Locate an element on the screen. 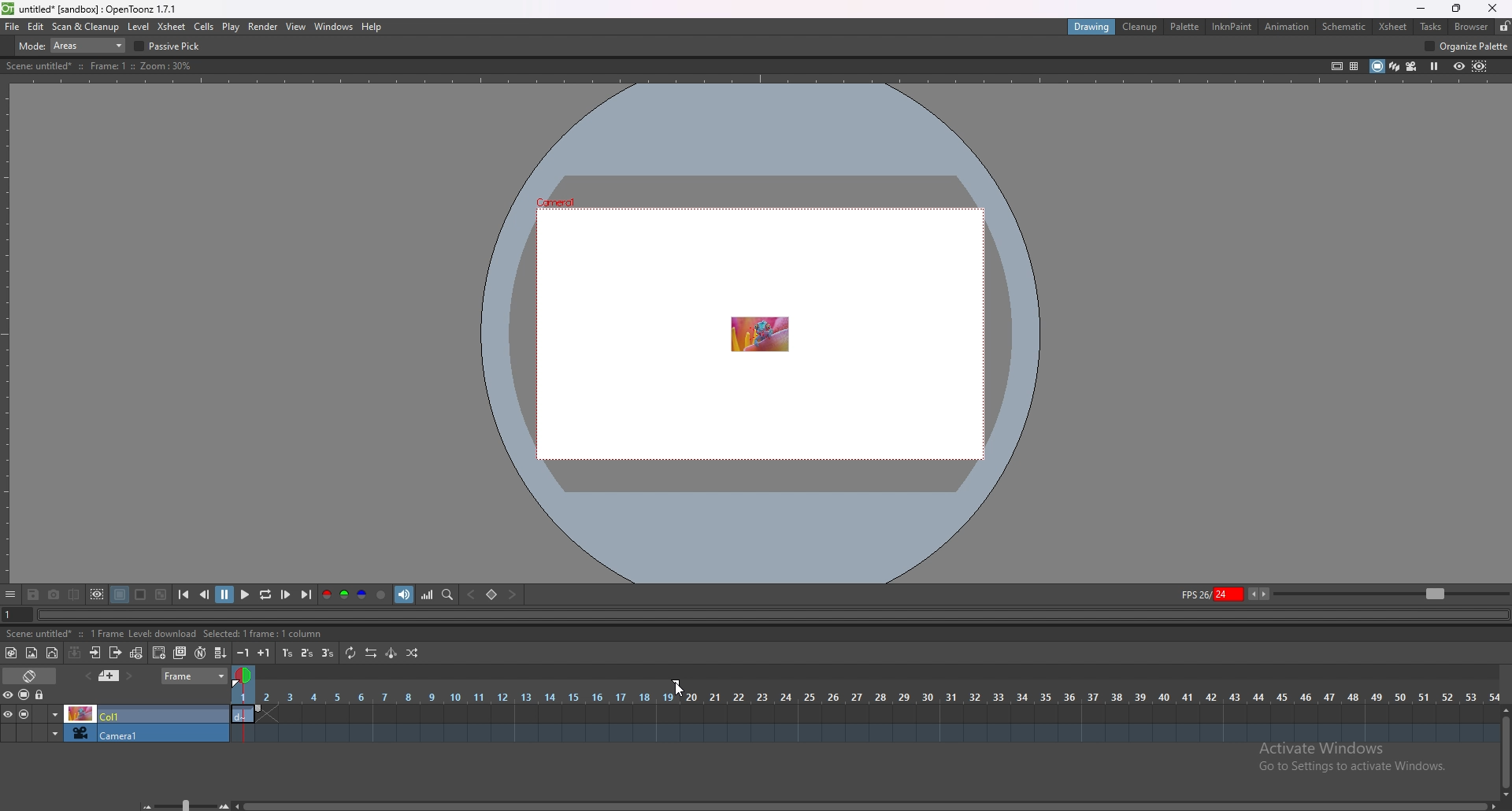 The height and width of the screenshot is (811, 1512). time selection is located at coordinates (243, 675).